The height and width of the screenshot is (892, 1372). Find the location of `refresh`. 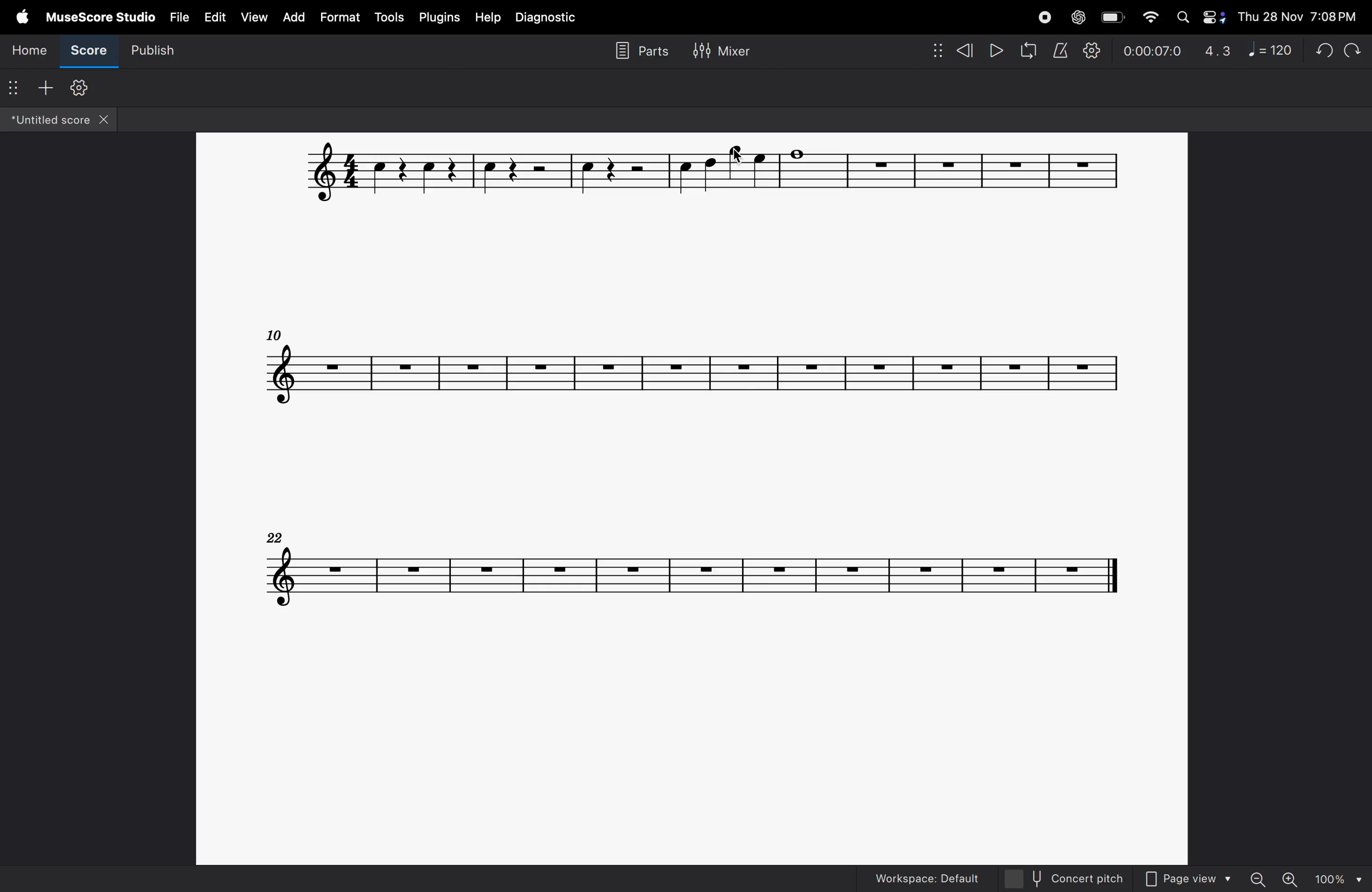

refresh is located at coordinates (1030, 52).